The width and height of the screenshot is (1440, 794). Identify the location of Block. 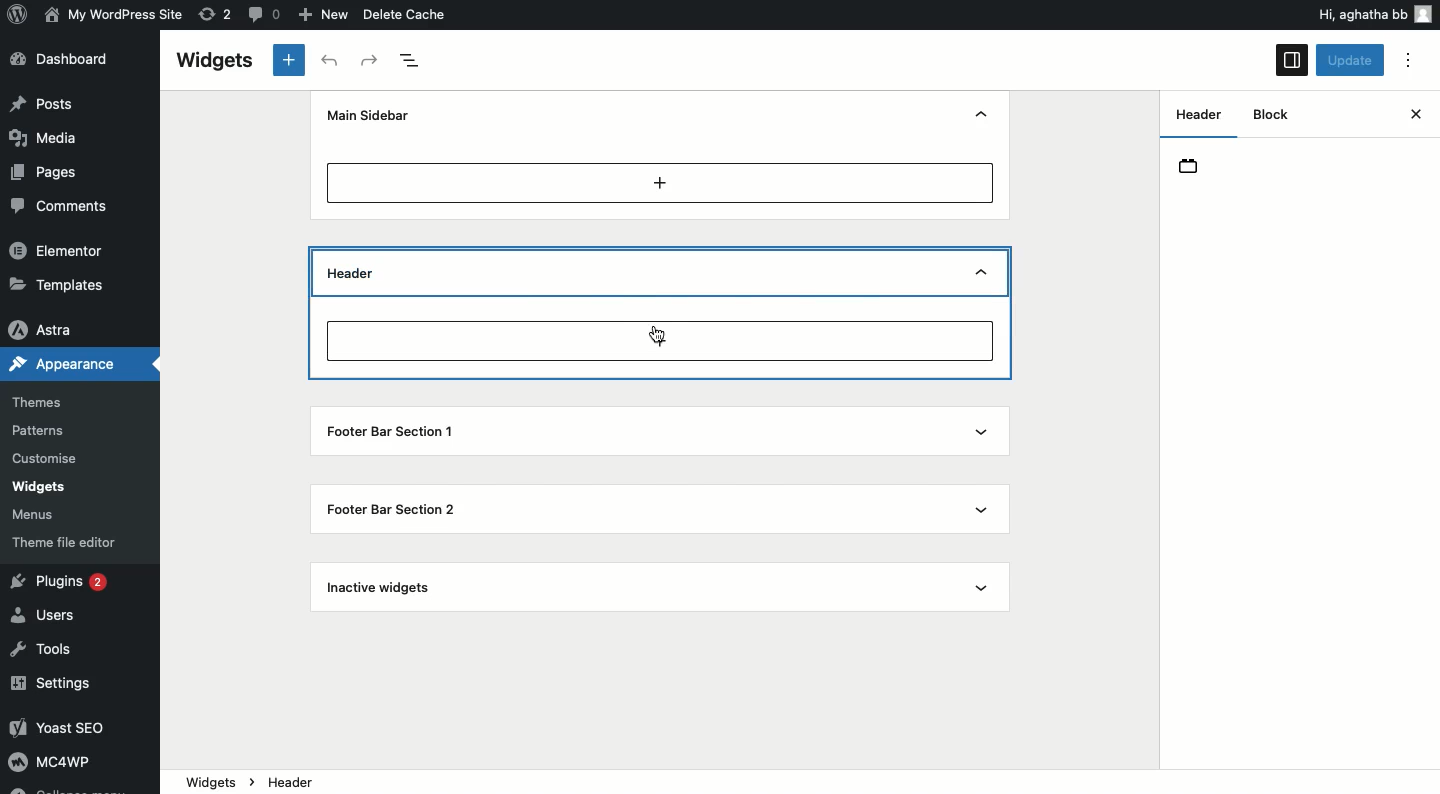
(1266, 115).